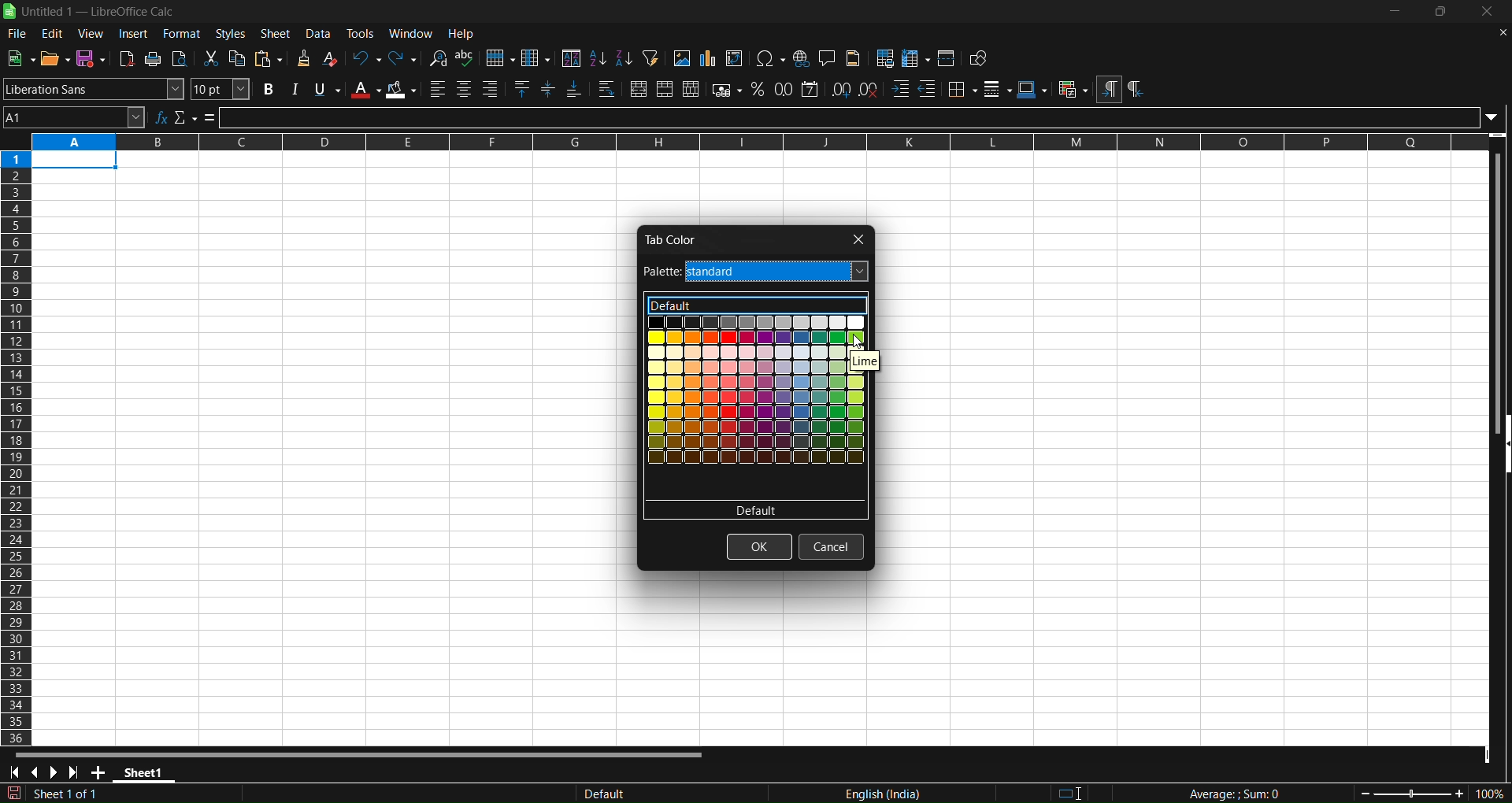  What do you see at coordinates (15, 773) in the screenshot?
I see `scroll to first sheet` at bounding box center [15, 773].